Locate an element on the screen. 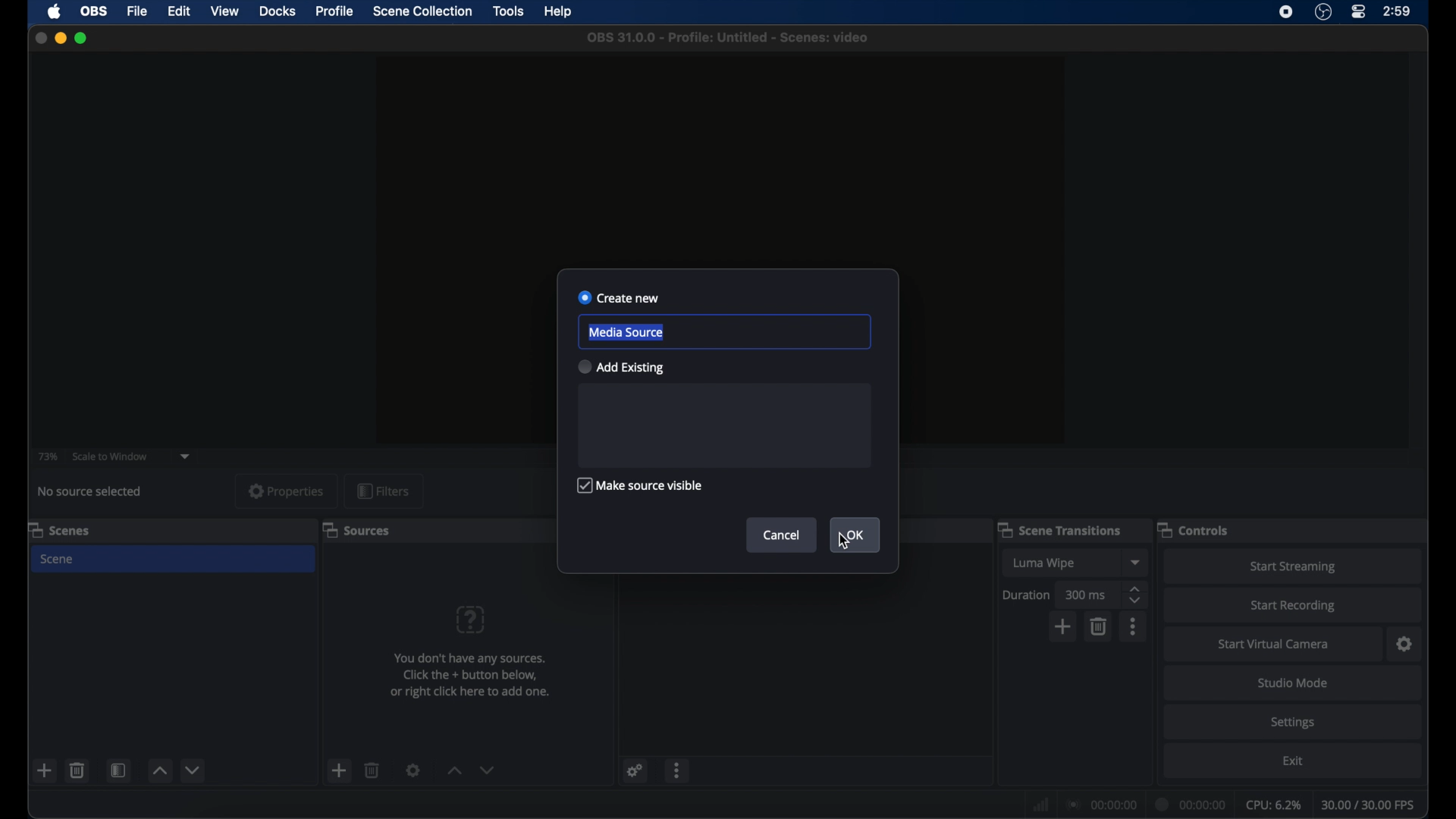 The width and height of the screenshot is (1456, 819). create new is located at coordinates (618, 297).